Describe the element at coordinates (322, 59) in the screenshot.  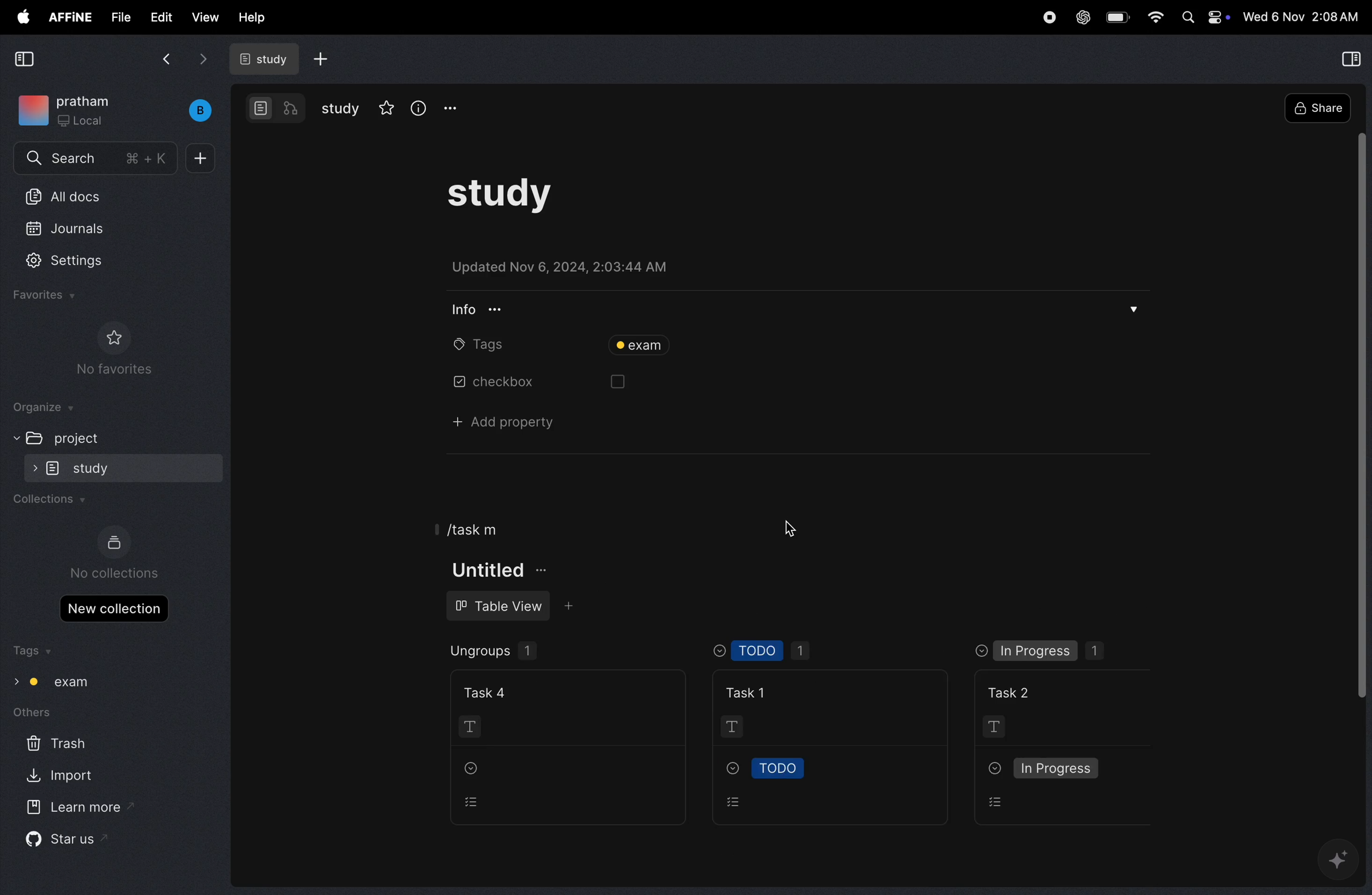
I see `add` at that location.